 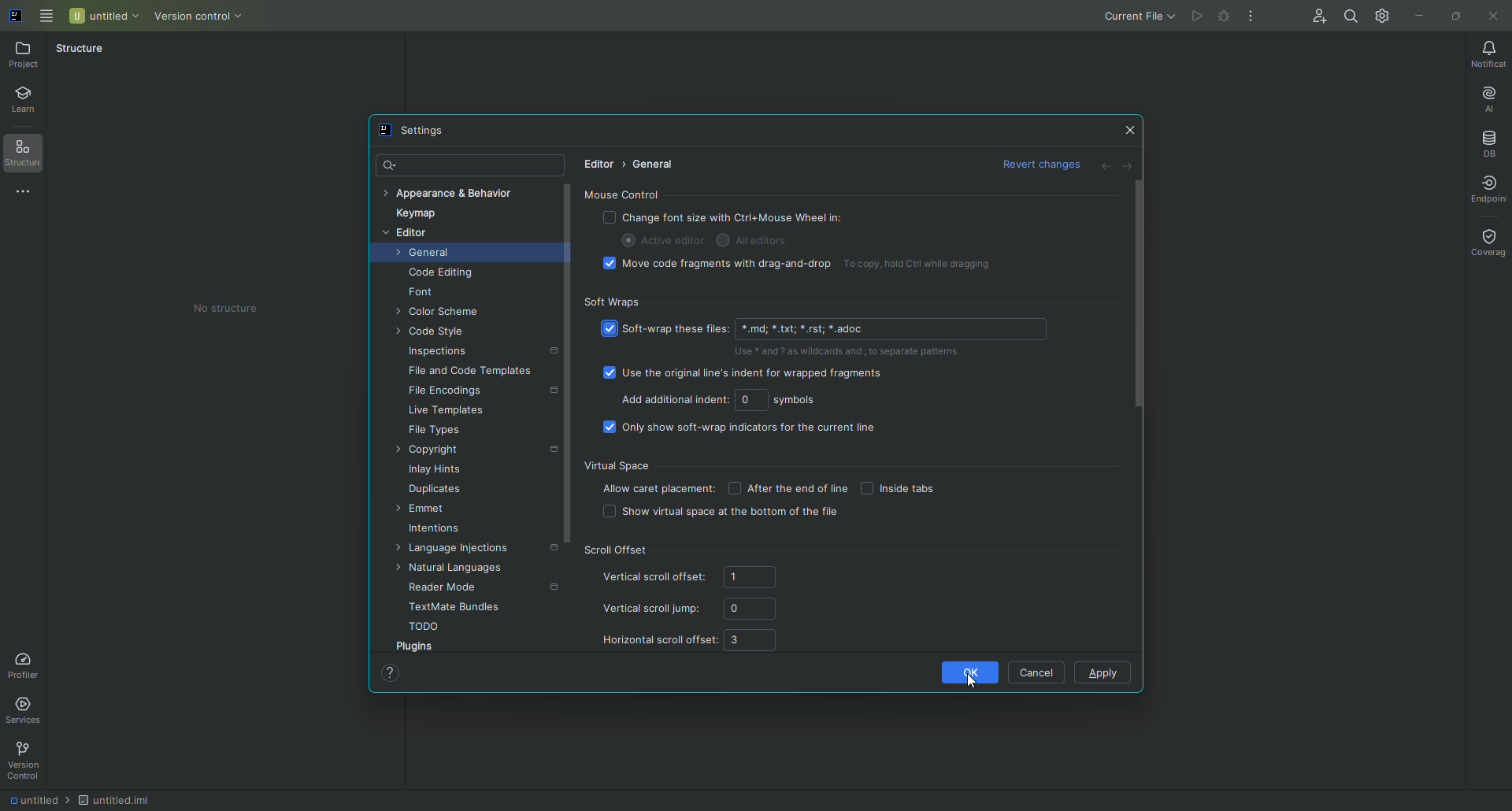 I want to click on Search, so click(x=1351, y=17).